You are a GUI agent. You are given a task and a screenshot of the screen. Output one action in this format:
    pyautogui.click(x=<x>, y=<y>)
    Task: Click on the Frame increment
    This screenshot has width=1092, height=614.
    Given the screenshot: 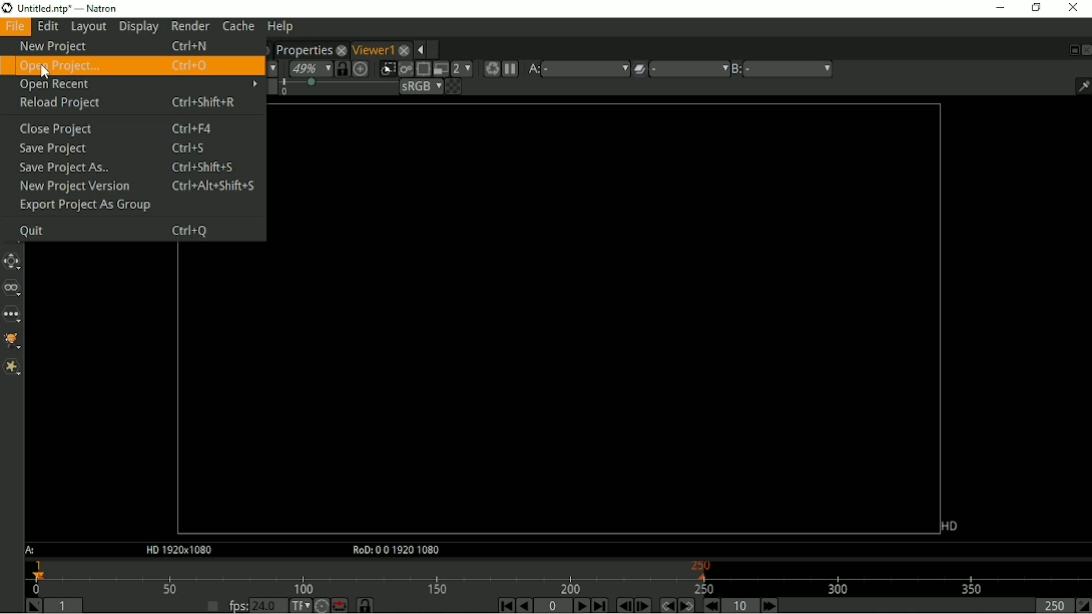 What is the action you would take?
    pyautogui.click(x=742, y=605)
    